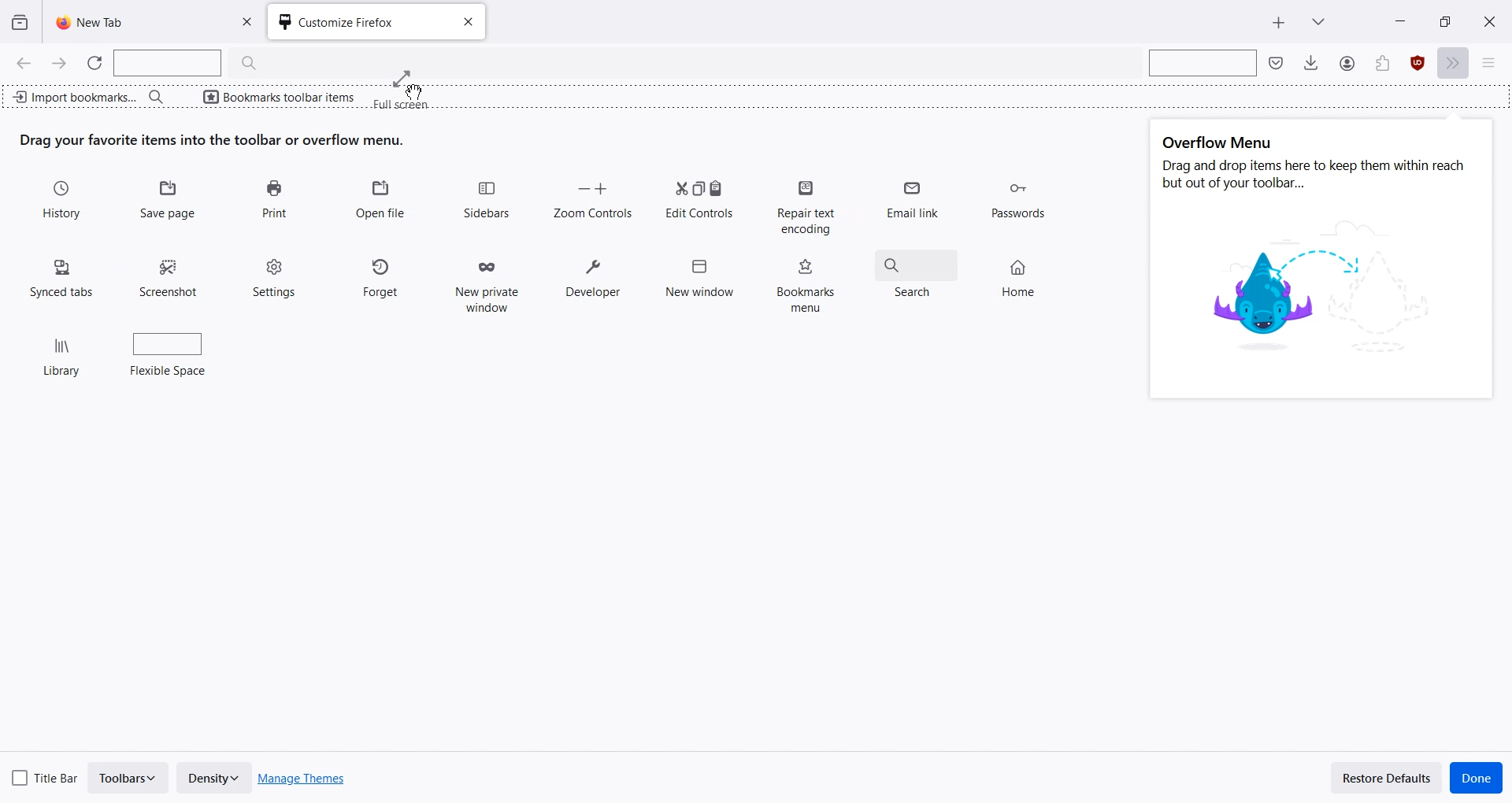 The image size is (1512, 803). I want to click on Search bar, so click(1200, 62).